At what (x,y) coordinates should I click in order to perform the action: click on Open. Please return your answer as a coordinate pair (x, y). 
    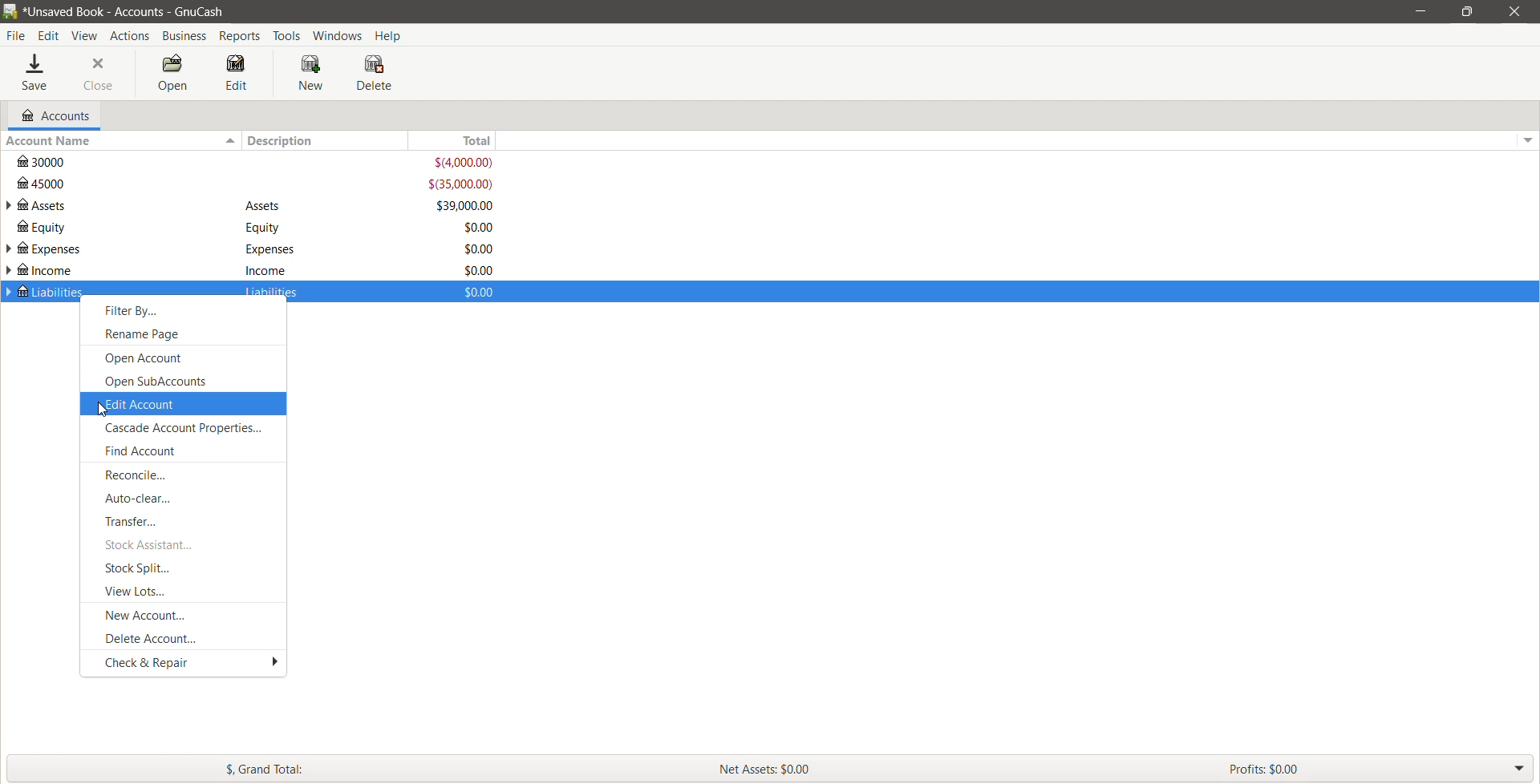
    Looking at the image, I should click on (171, 74).